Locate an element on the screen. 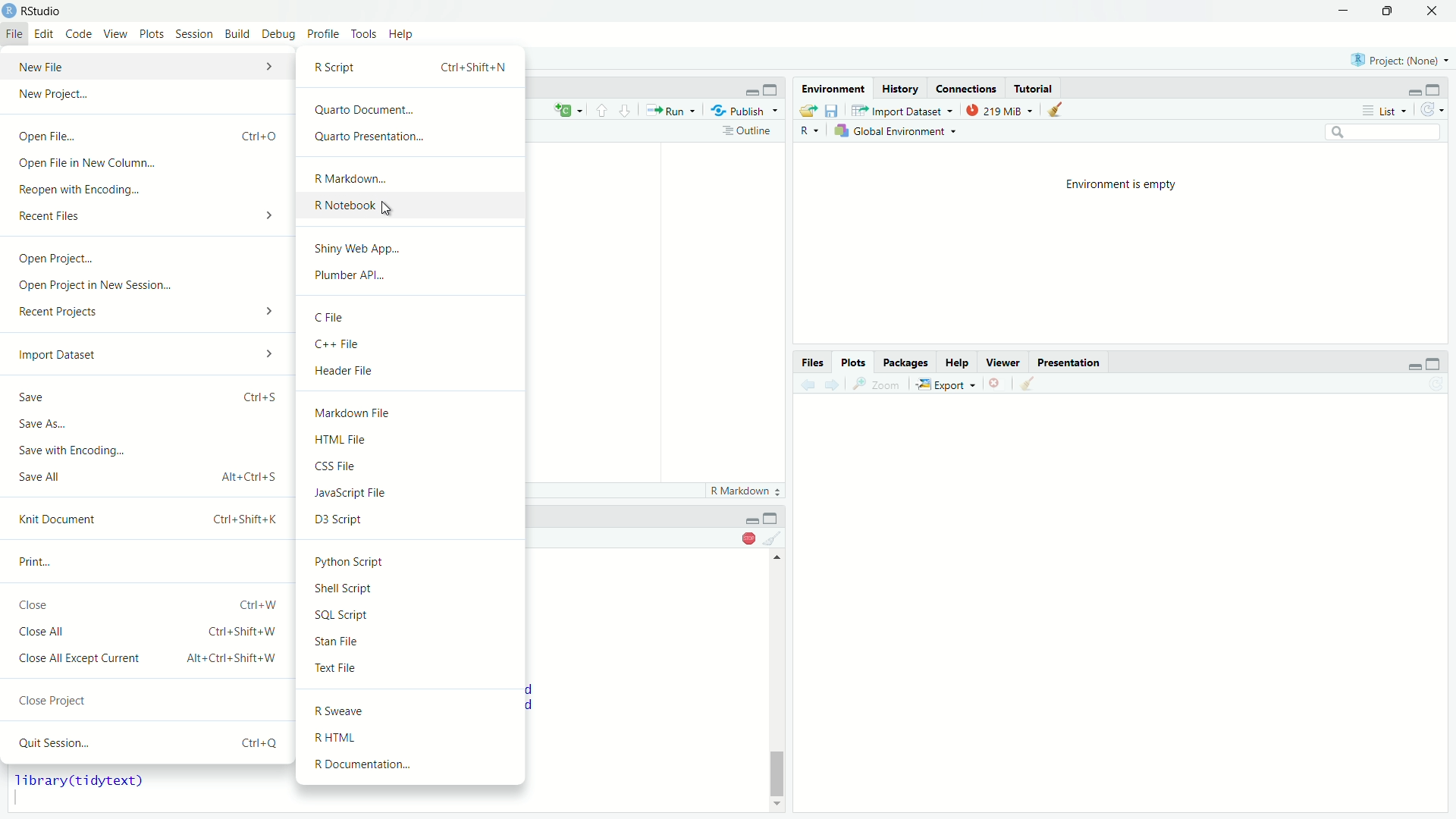 This screenshot has width=1456, height=819. Close All Except Current is located at coordinates (151, 657).